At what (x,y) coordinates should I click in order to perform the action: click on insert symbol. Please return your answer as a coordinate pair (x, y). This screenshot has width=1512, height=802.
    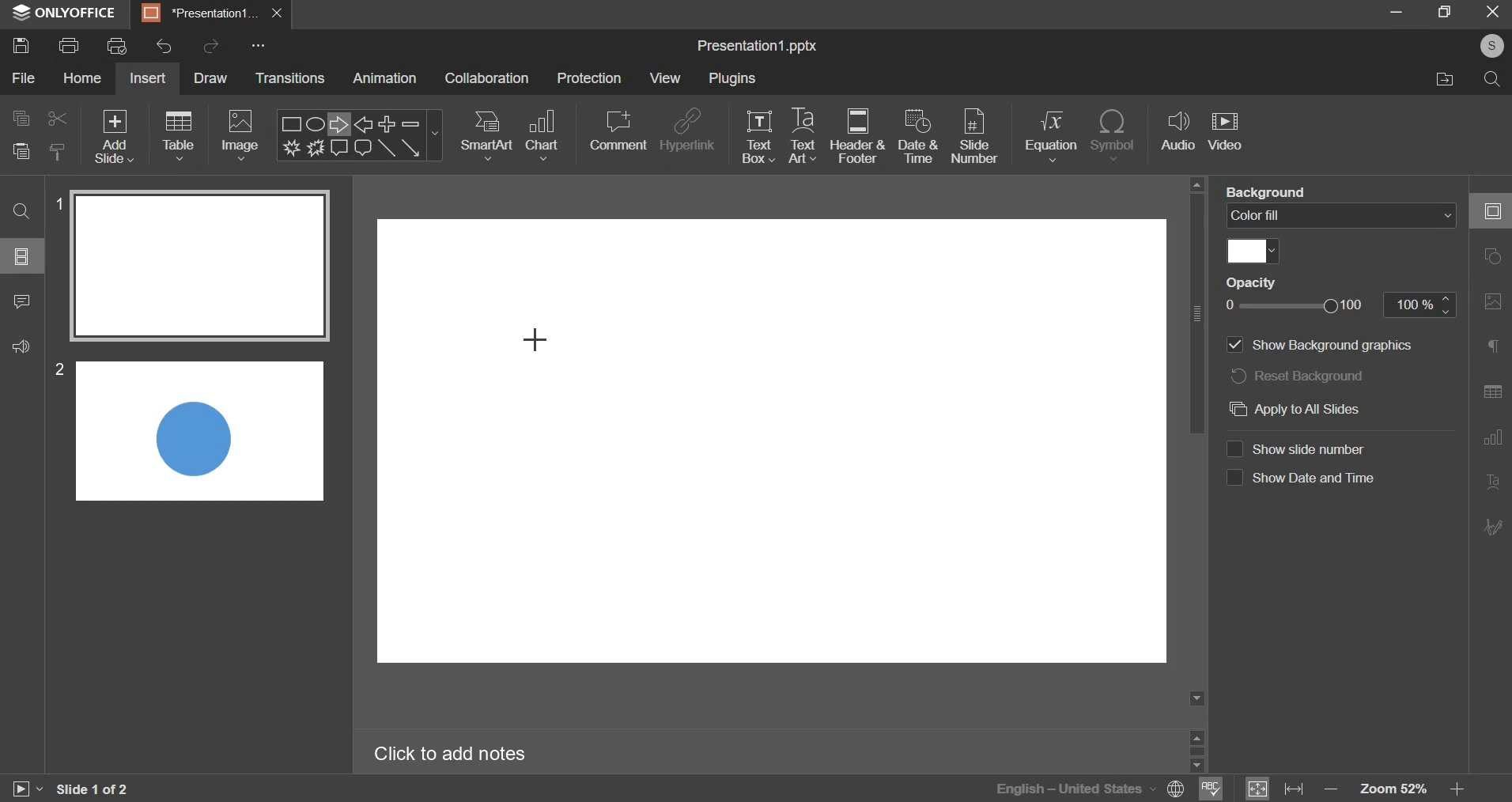
    Looking at the image, I should click on (1113, 138).